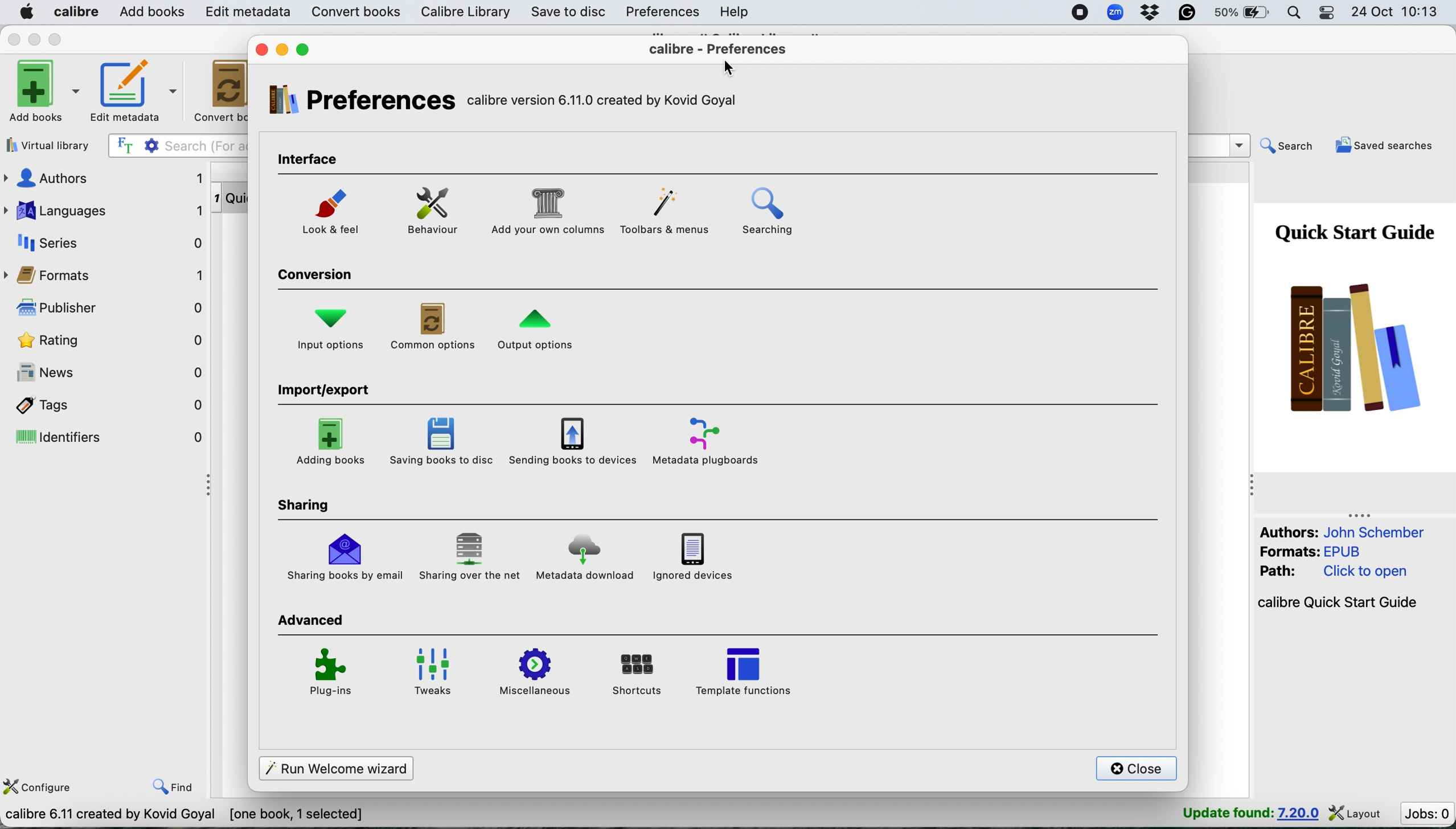  What do you see at coordinates (534, 668) in the screenshot?
I see `miscellaneous` at bounding box center [534, 668].